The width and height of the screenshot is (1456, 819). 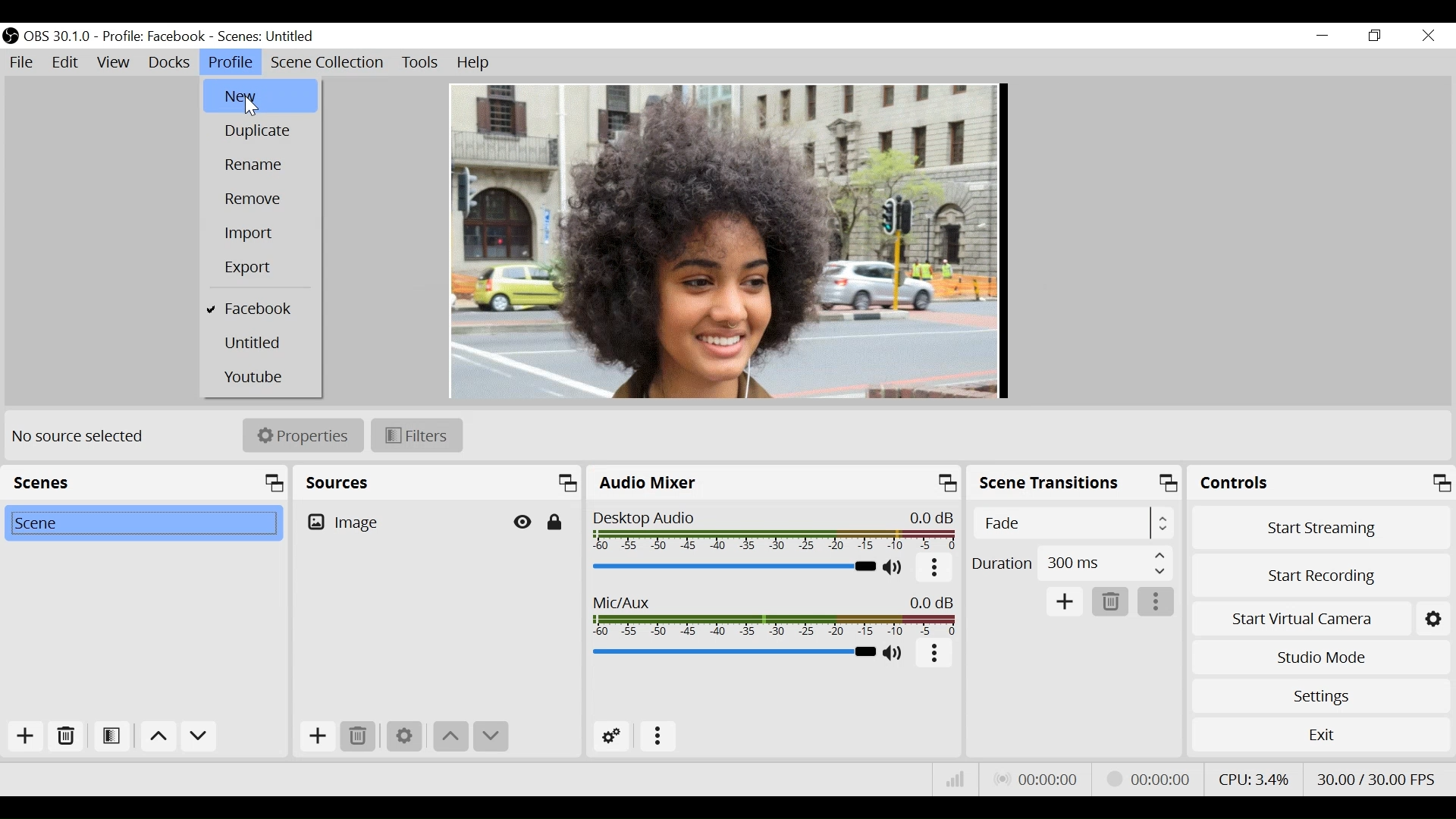 What do you see at coordinates (1427, 35) in the screenshot?
I see `Close` at bounding box center [1427, 35].